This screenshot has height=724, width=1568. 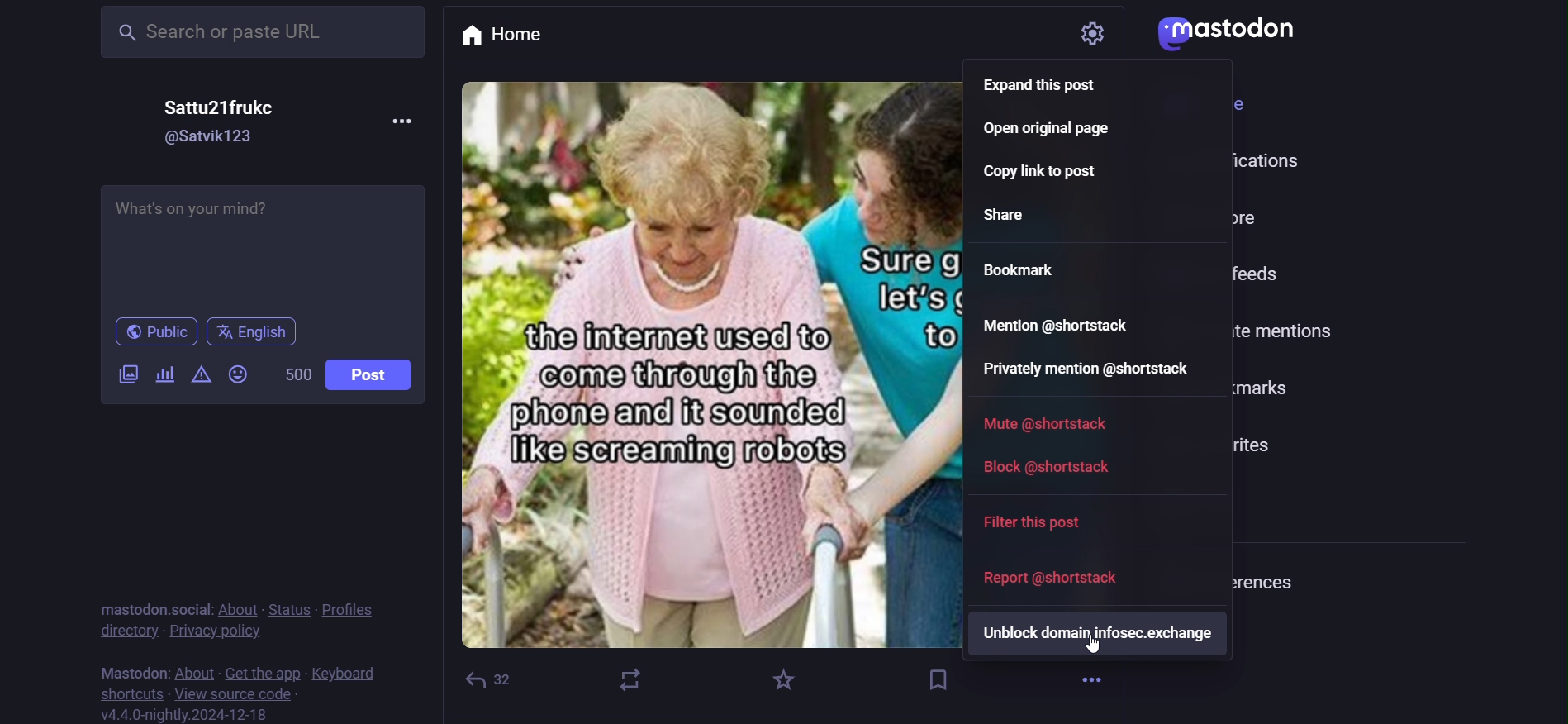 What do you see at coordinates (1047, 422) in the screenshot?
I see `mute` at bounding box center [1047, 422].